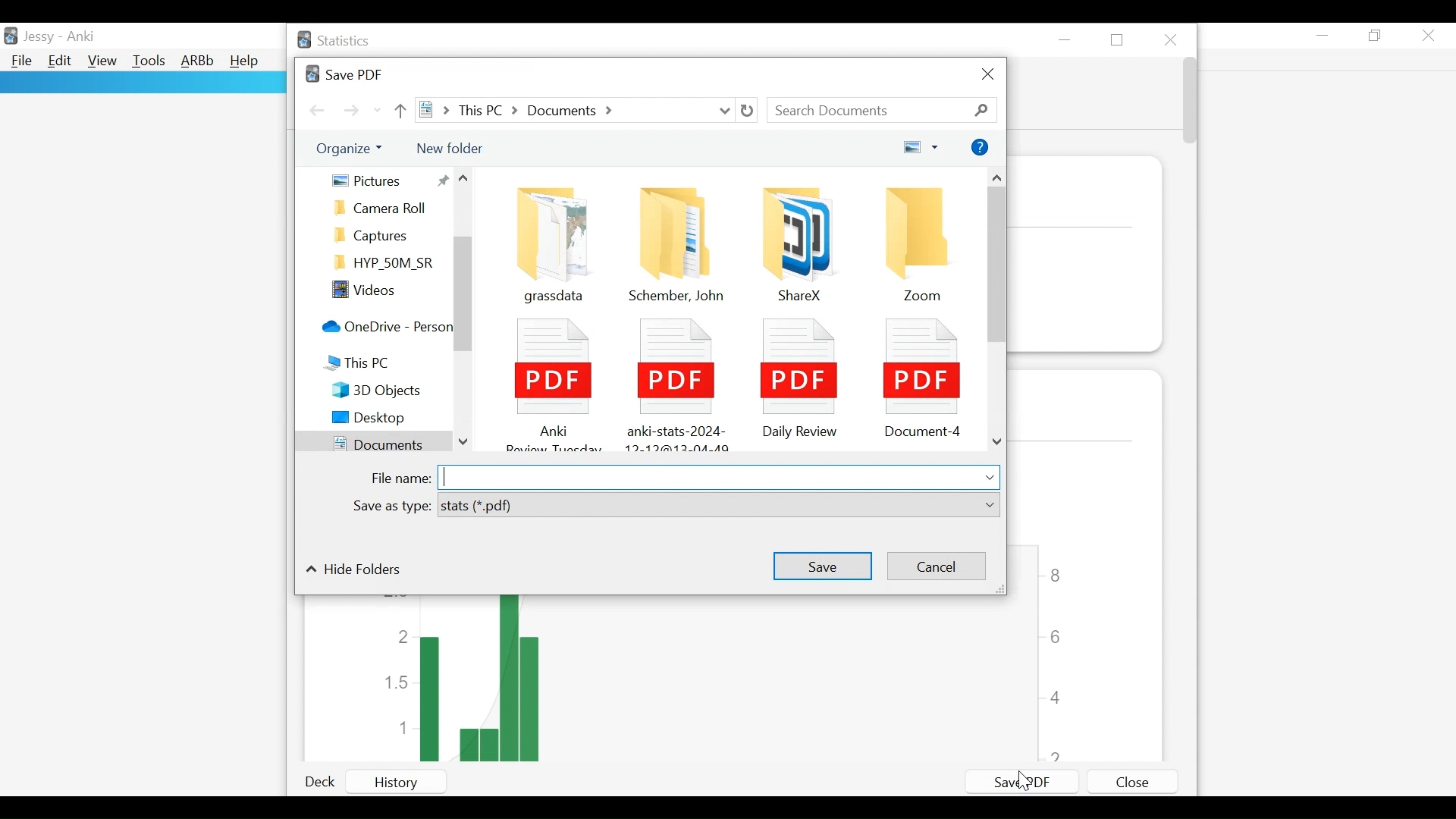 This screenshot has height=819, width=1456. Describe the element at coordinates (390, 507) in the screenshot. I see `Save as type` at that location.